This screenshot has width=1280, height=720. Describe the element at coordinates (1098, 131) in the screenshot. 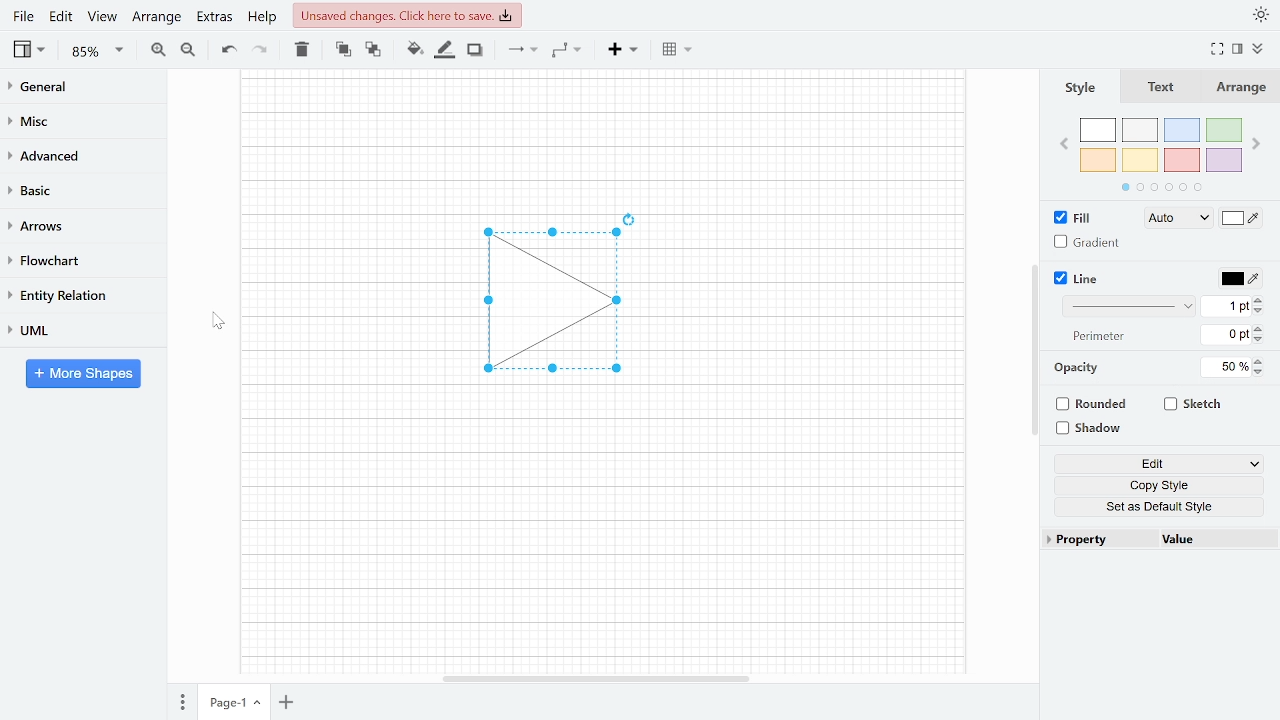

I see `white` at that location.